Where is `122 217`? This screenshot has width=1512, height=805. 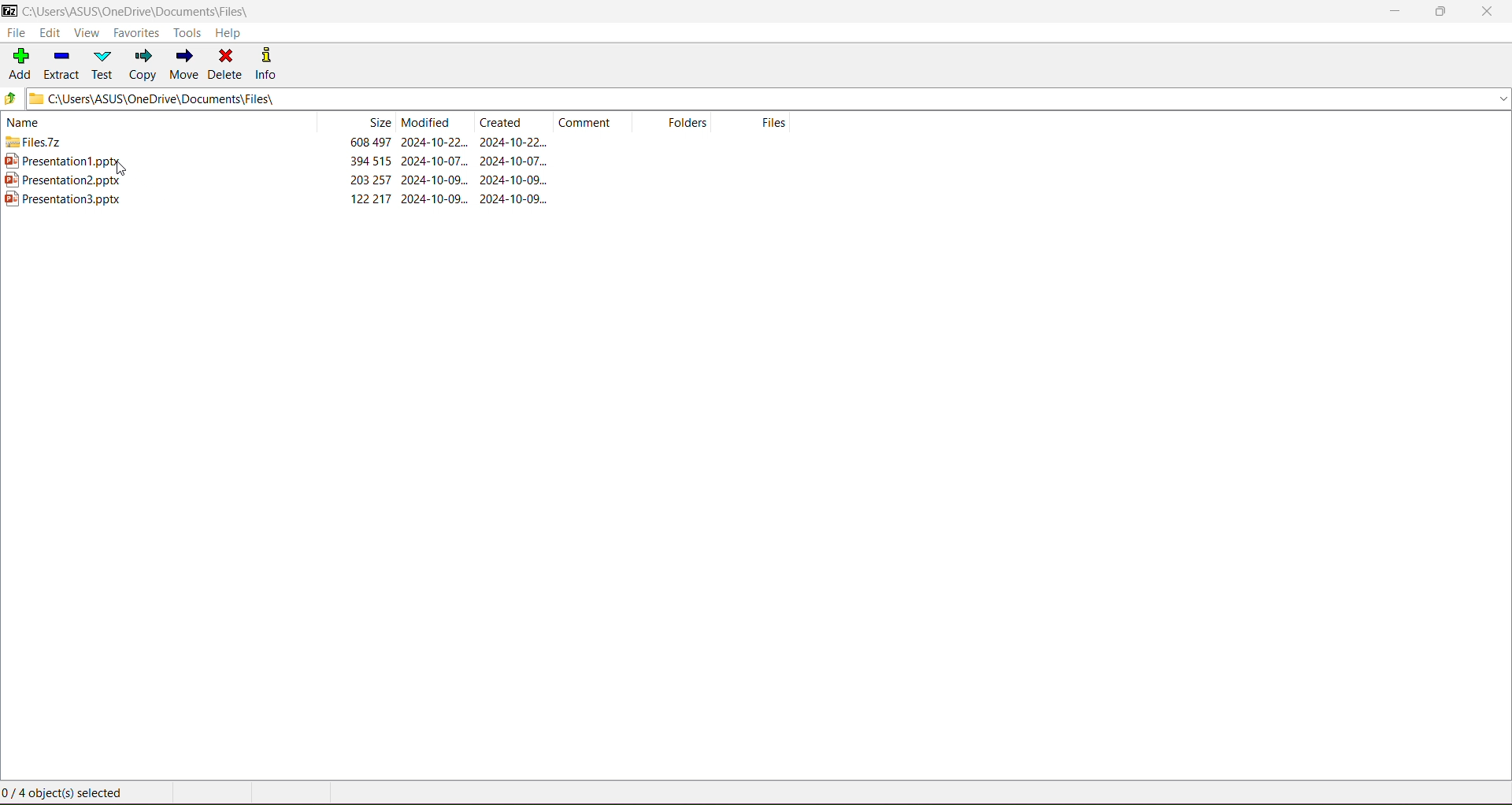
122 217 is located at coordinates (370, 199).